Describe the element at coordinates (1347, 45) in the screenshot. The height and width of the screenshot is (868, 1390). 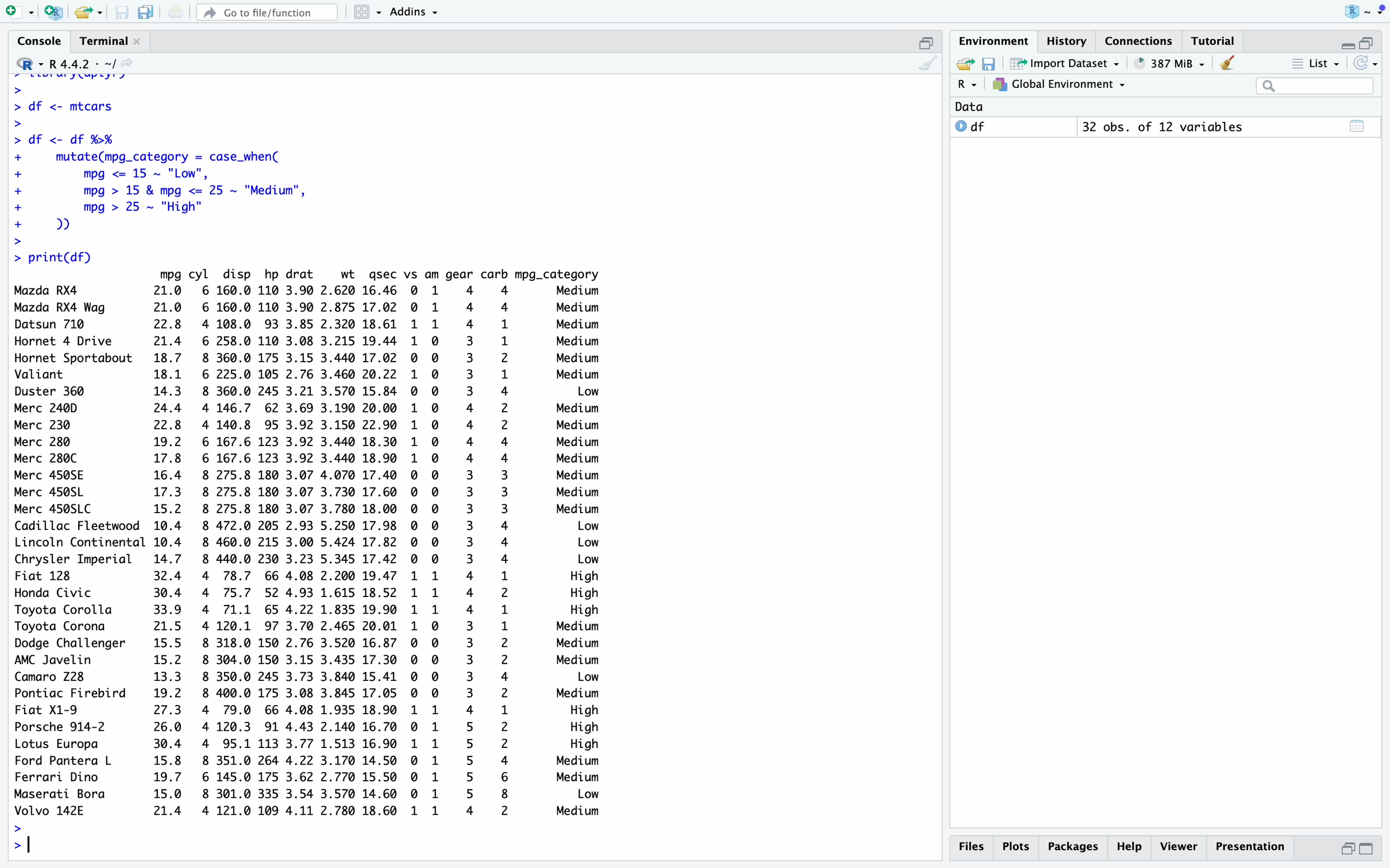
I see `Collapse/expand` at that location.